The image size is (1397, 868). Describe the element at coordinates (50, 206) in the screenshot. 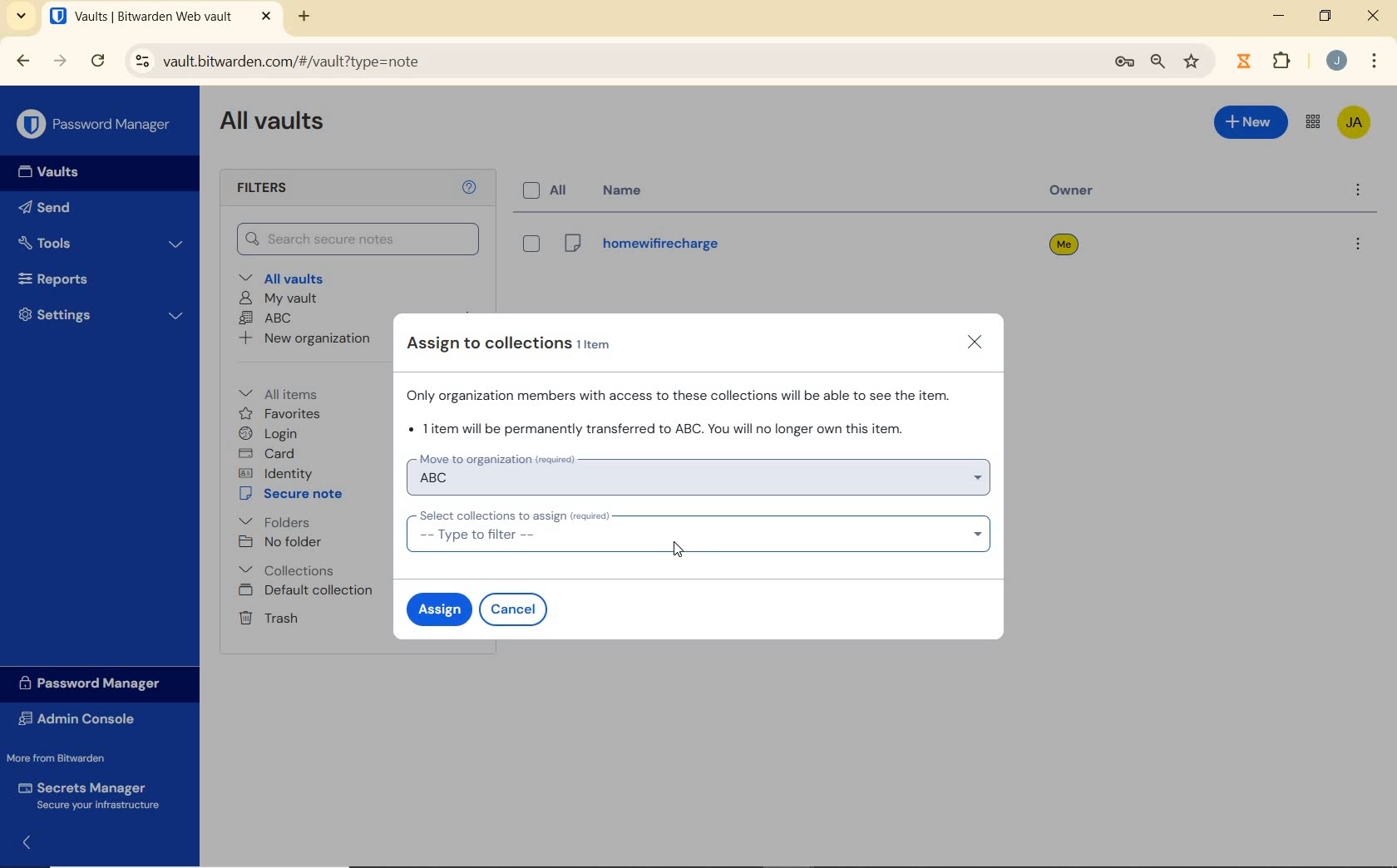

I see `Send` at that location.